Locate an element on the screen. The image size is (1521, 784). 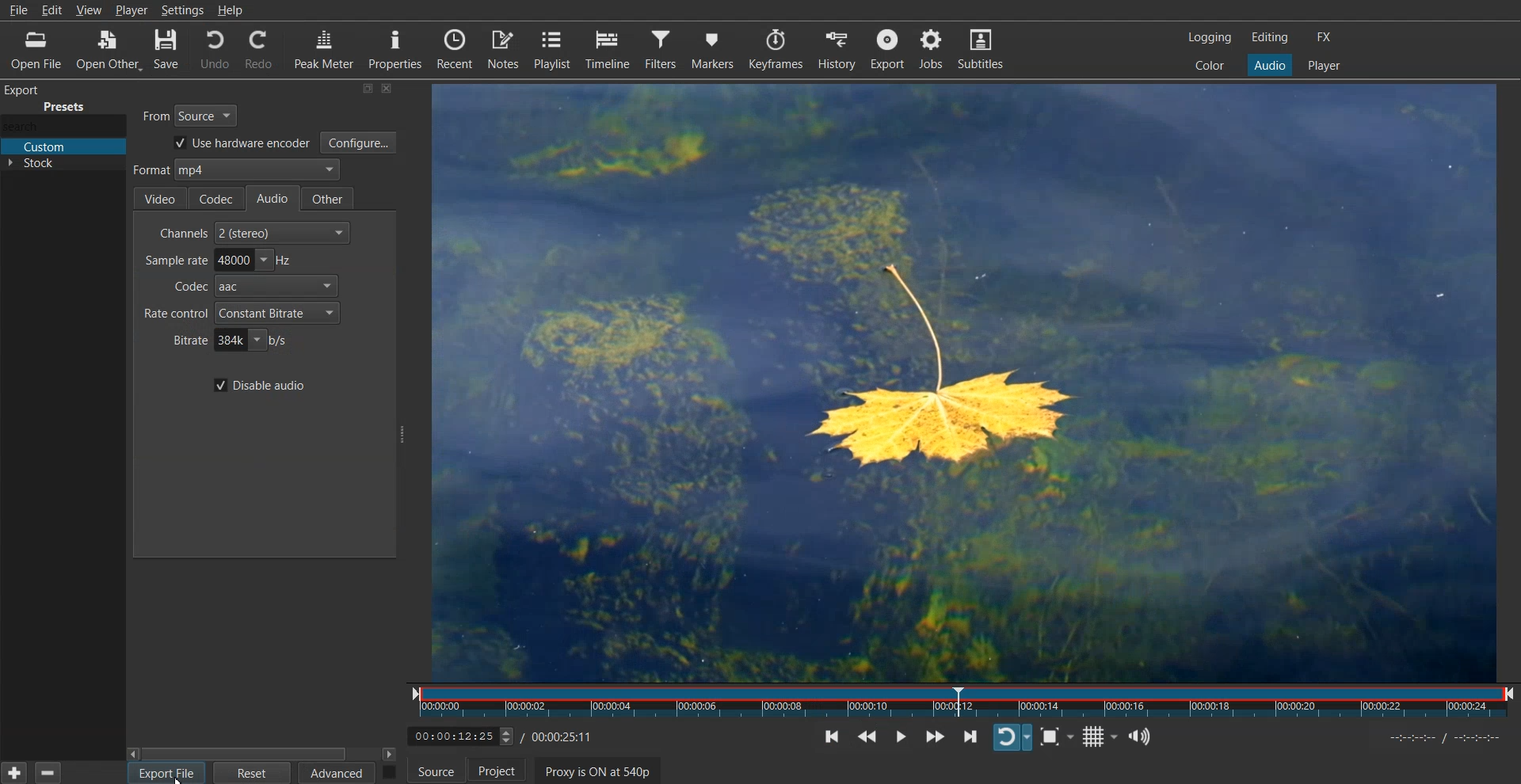
Drag handle is located at coordinates (403, 435).